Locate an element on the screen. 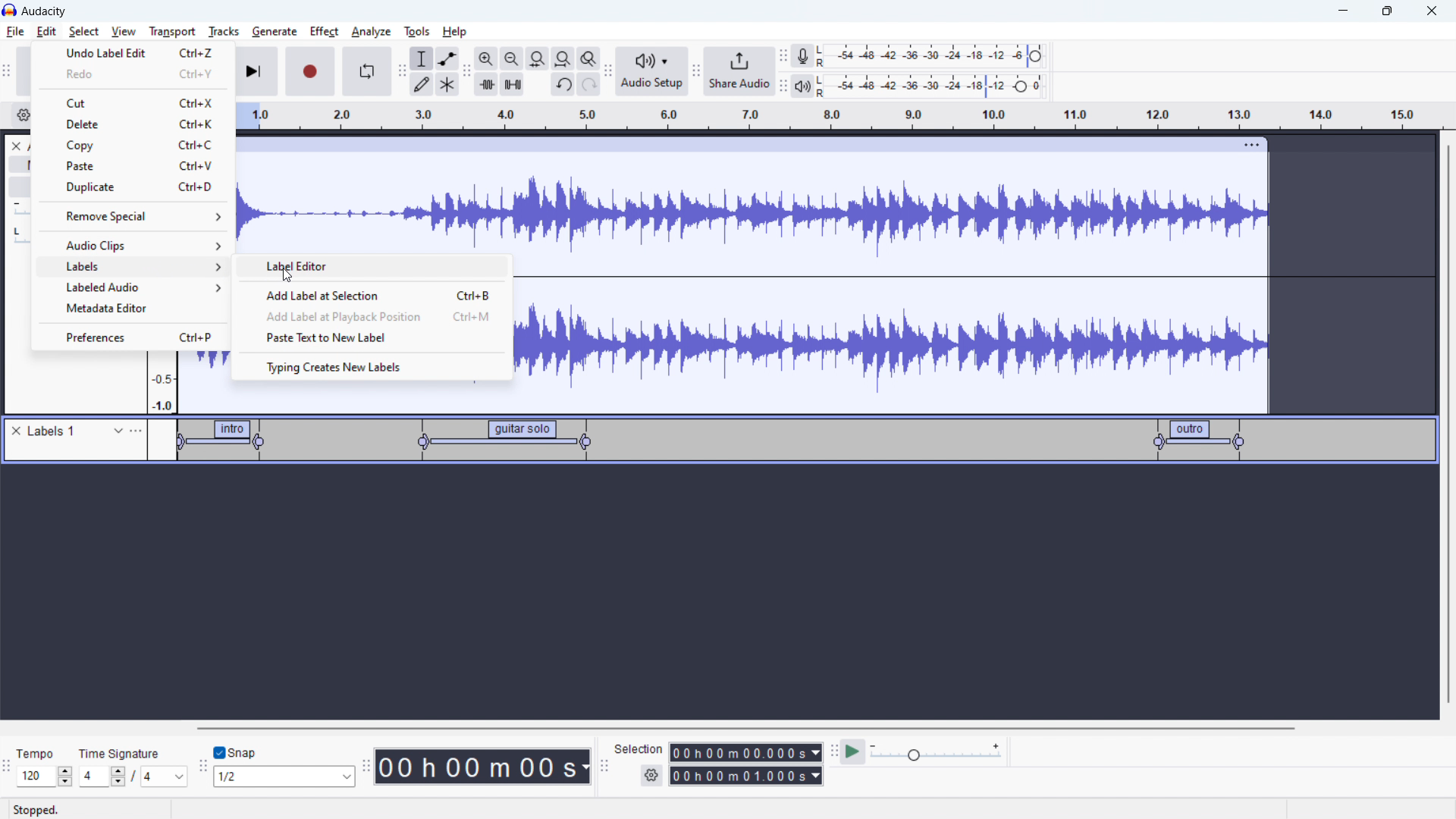 This screenshot has height=819, width=1456. time signature is located at coordinates (121, 753).